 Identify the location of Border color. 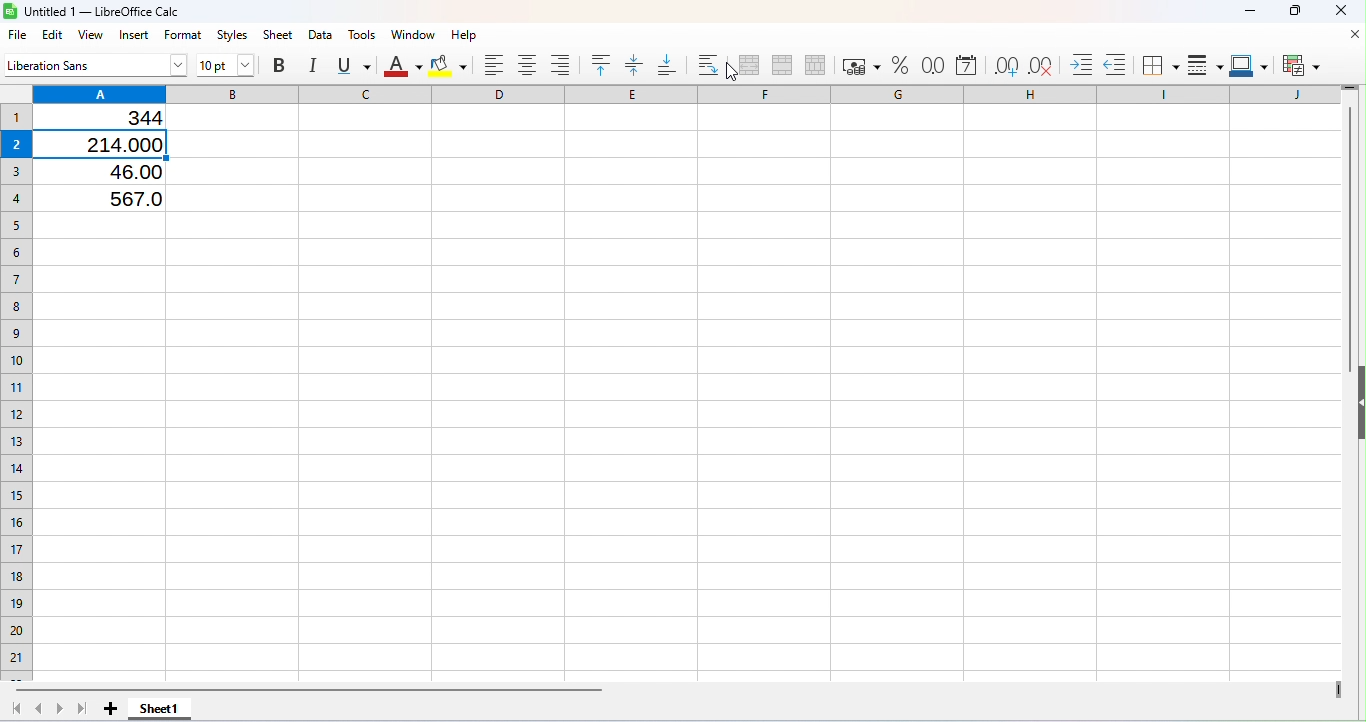
(1247, 62).